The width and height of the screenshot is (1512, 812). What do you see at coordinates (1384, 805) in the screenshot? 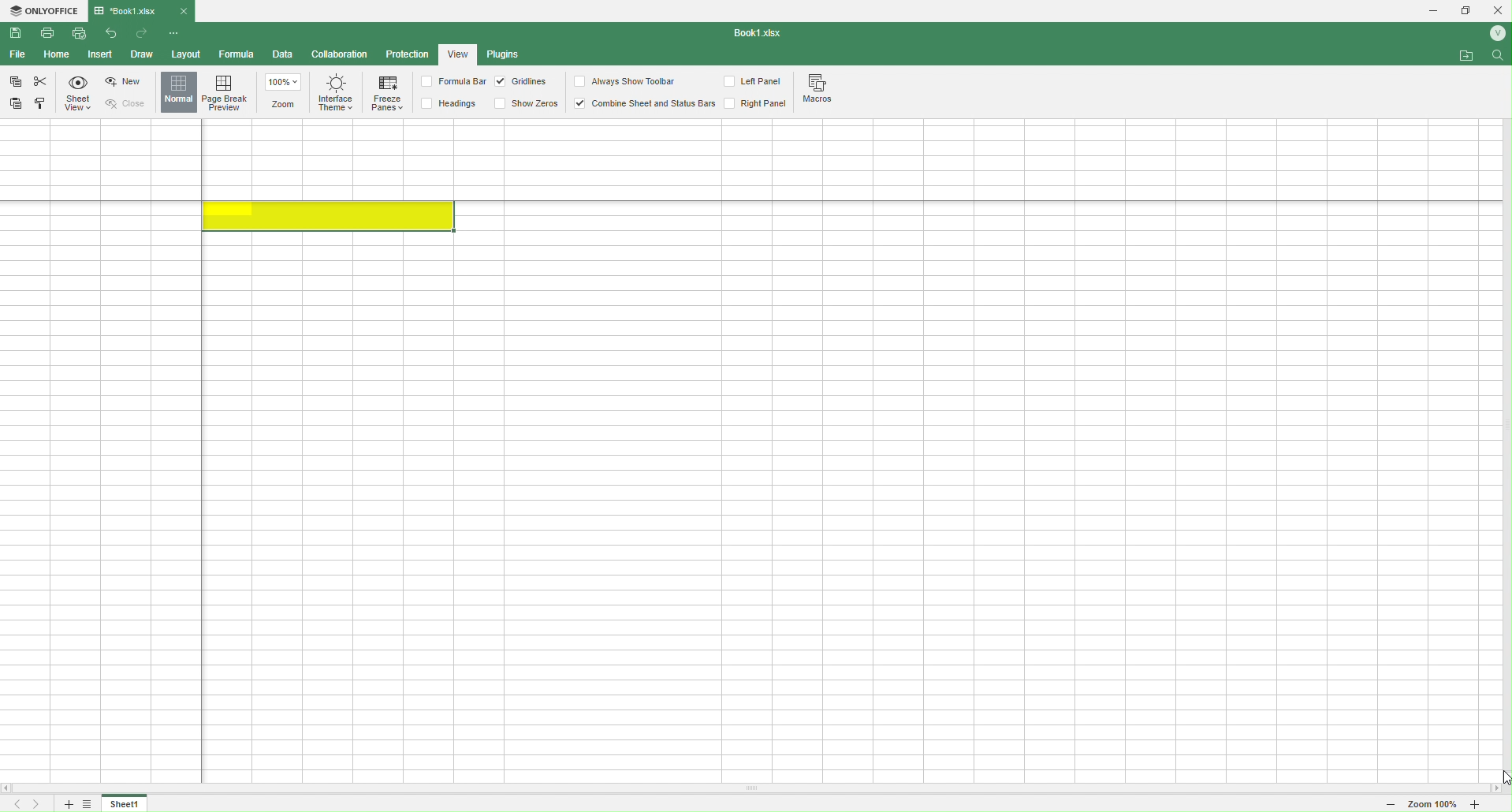
I see `Zoom out` at bounding box center [1384, 805].